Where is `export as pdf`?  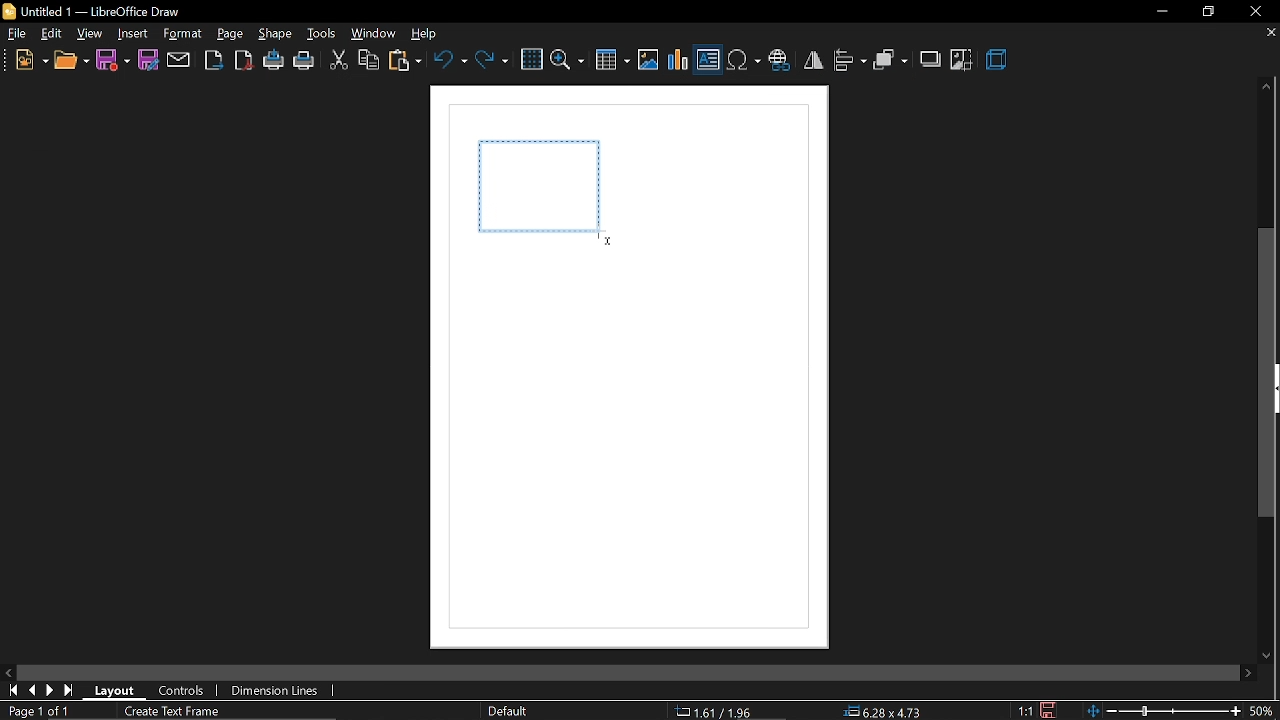 export as pdf is located at coordinates (243, 60).